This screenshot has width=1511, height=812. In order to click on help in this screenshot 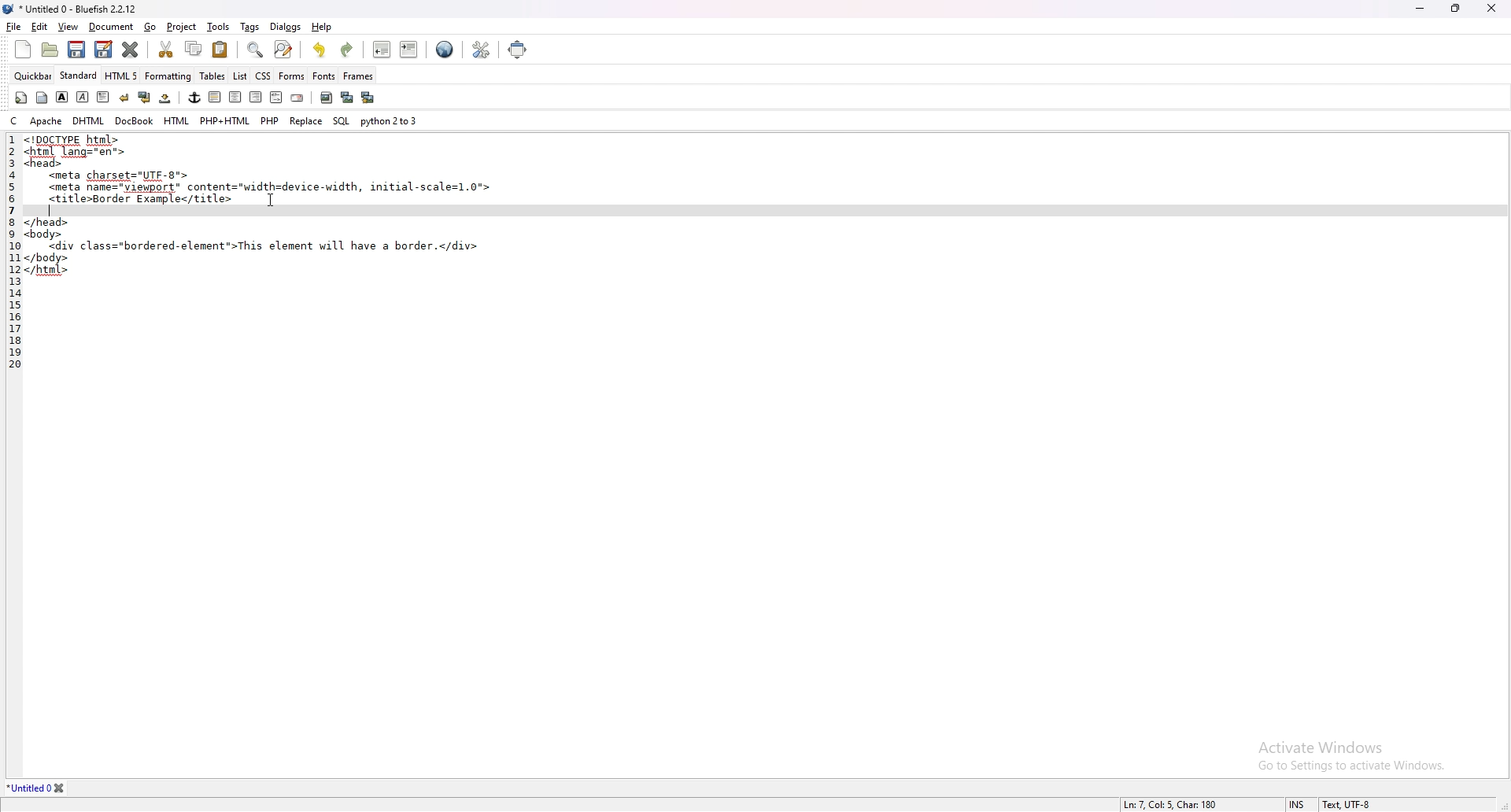, I will do `click(323, 26)`.